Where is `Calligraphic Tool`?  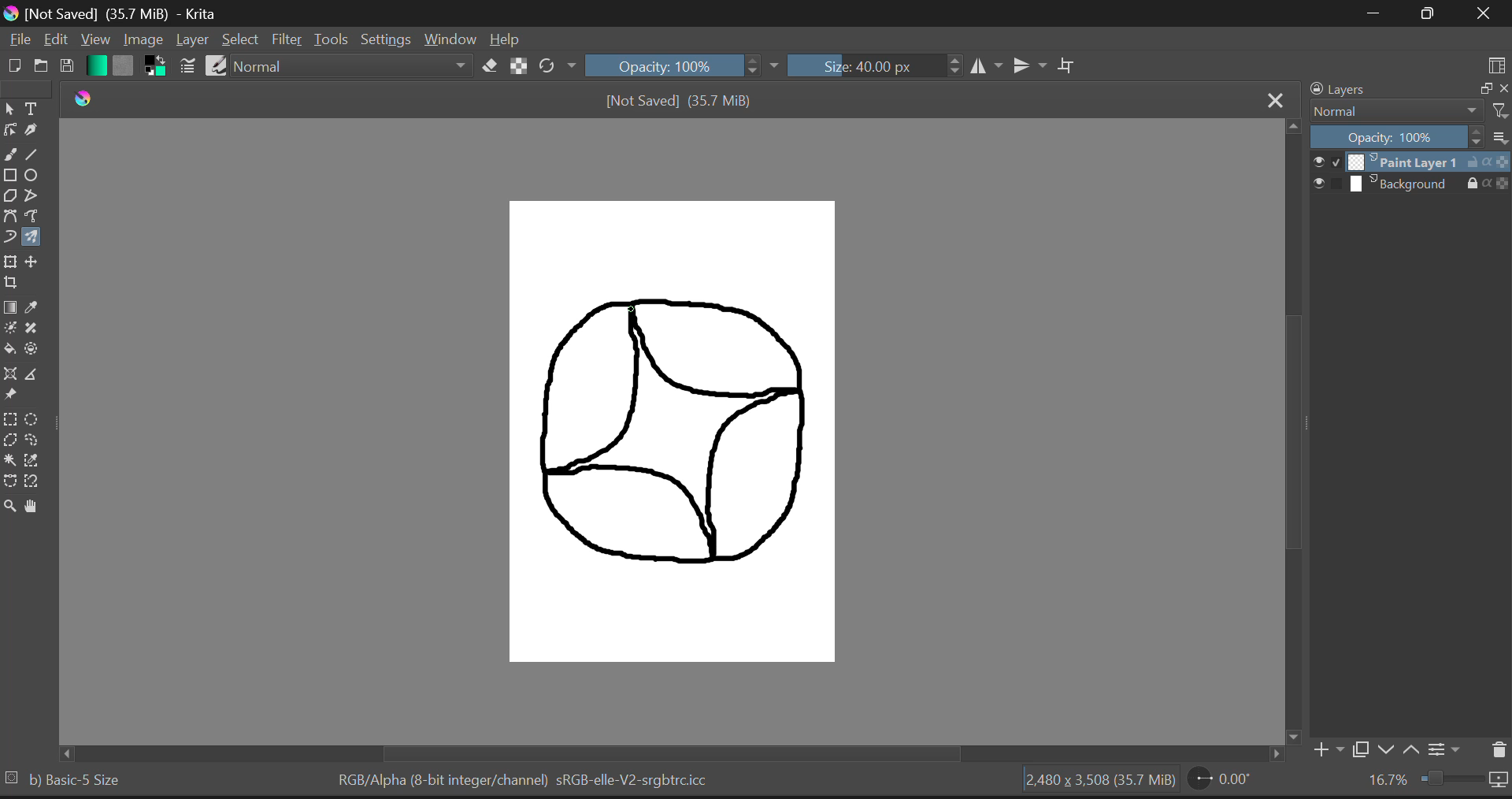 Calligraphic Tool is located at coordinates (34, 128).